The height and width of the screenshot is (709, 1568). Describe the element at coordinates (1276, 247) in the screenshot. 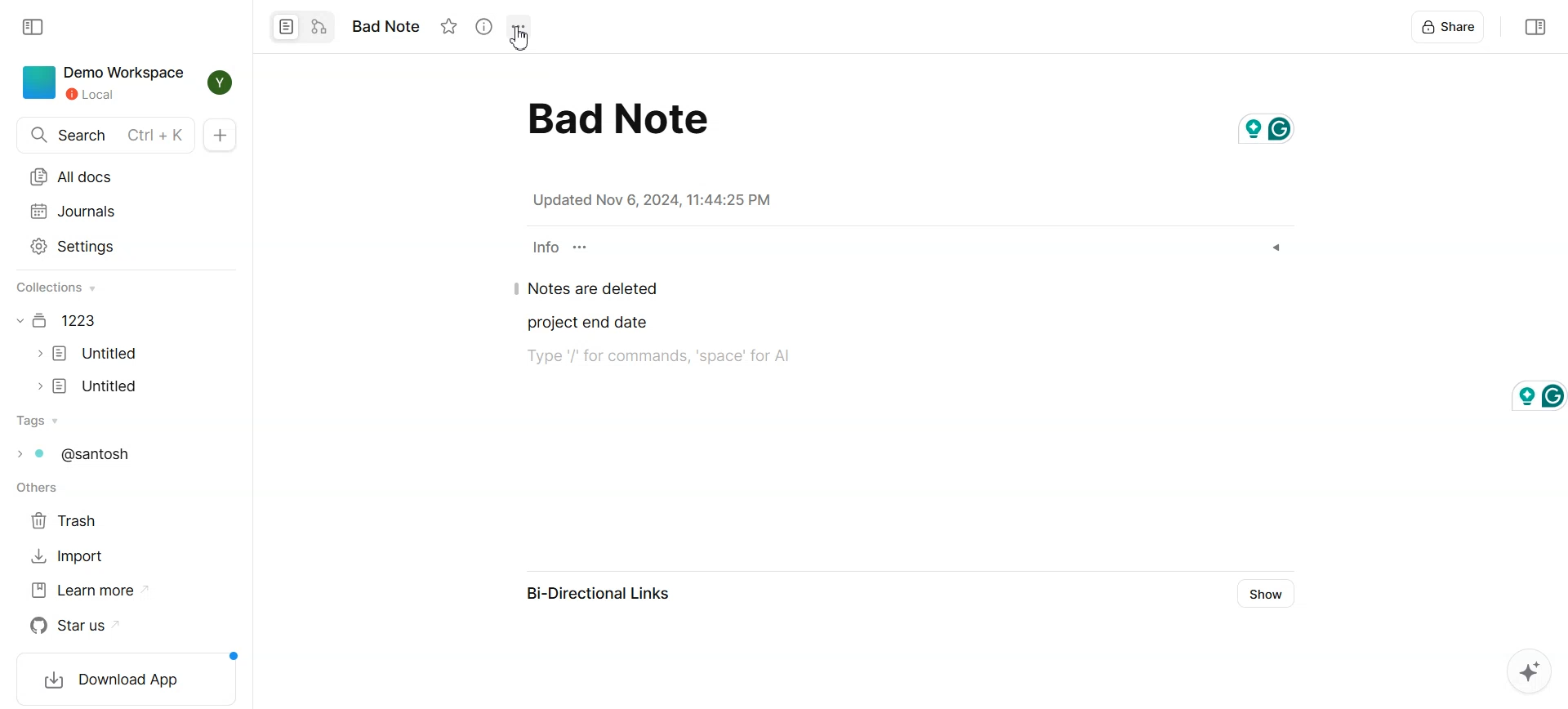

I see `Dropdown box` at that location.